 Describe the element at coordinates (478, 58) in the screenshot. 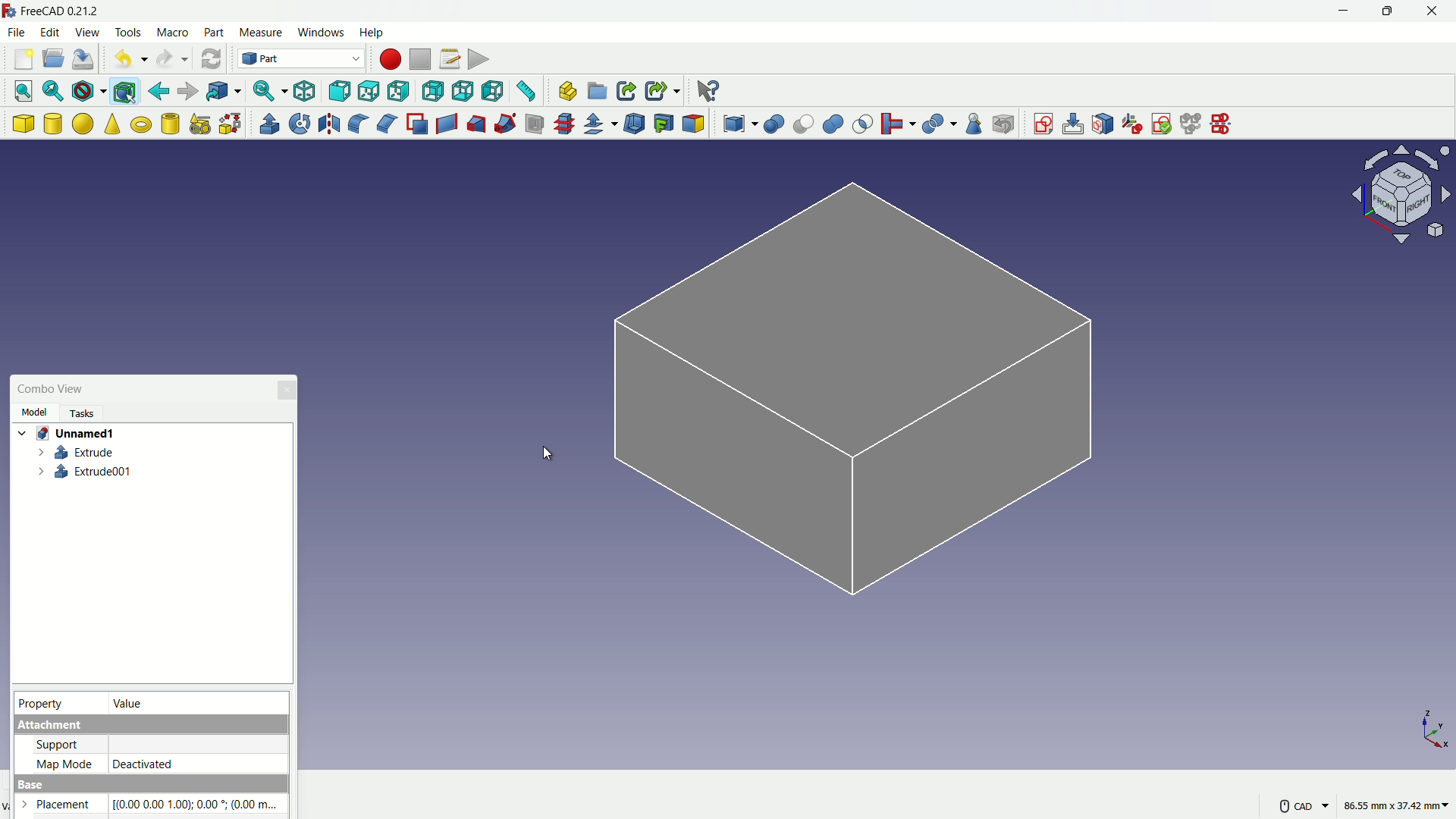

I see `execute macro` at that location.